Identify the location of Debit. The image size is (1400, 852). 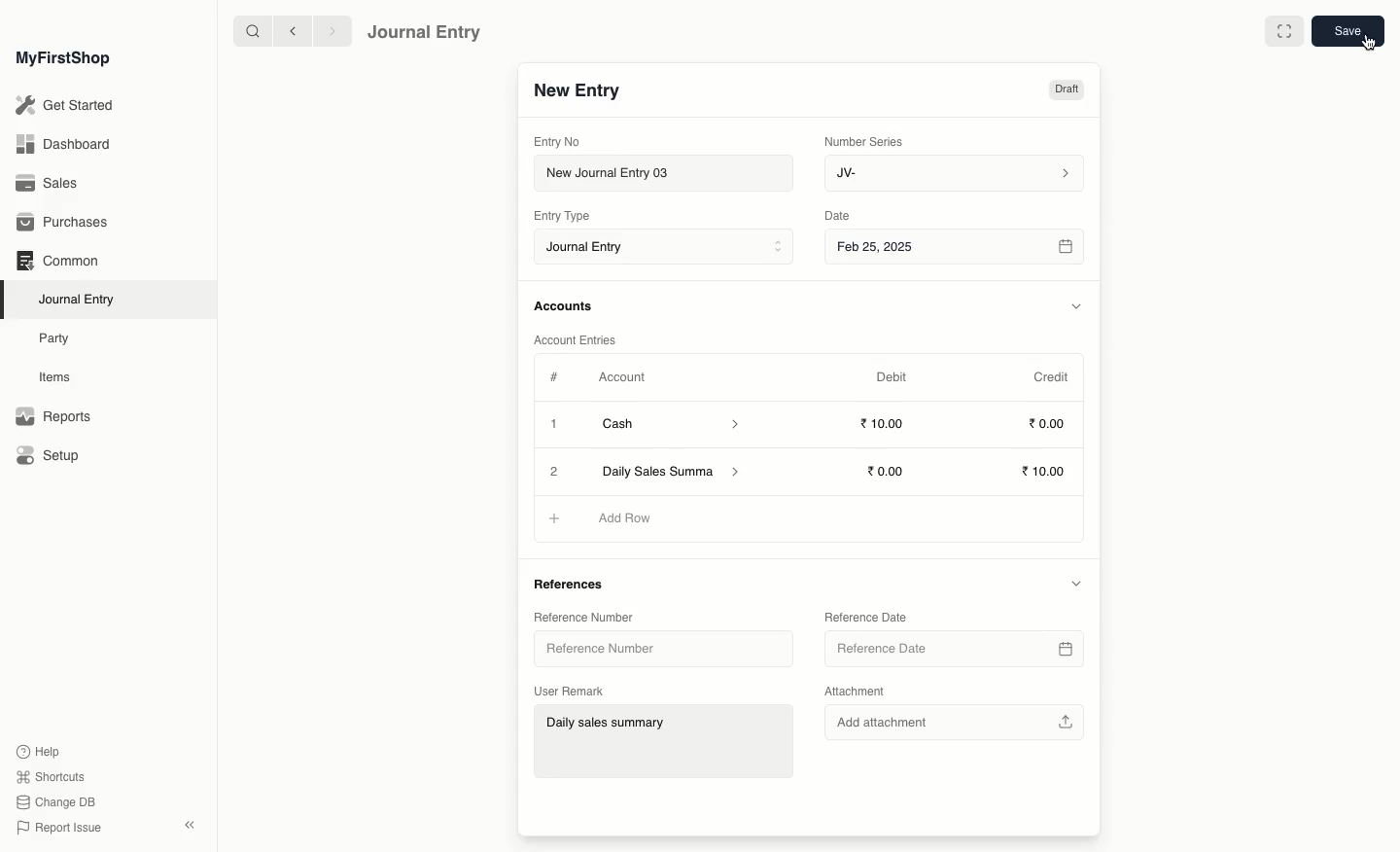
(892, 376).